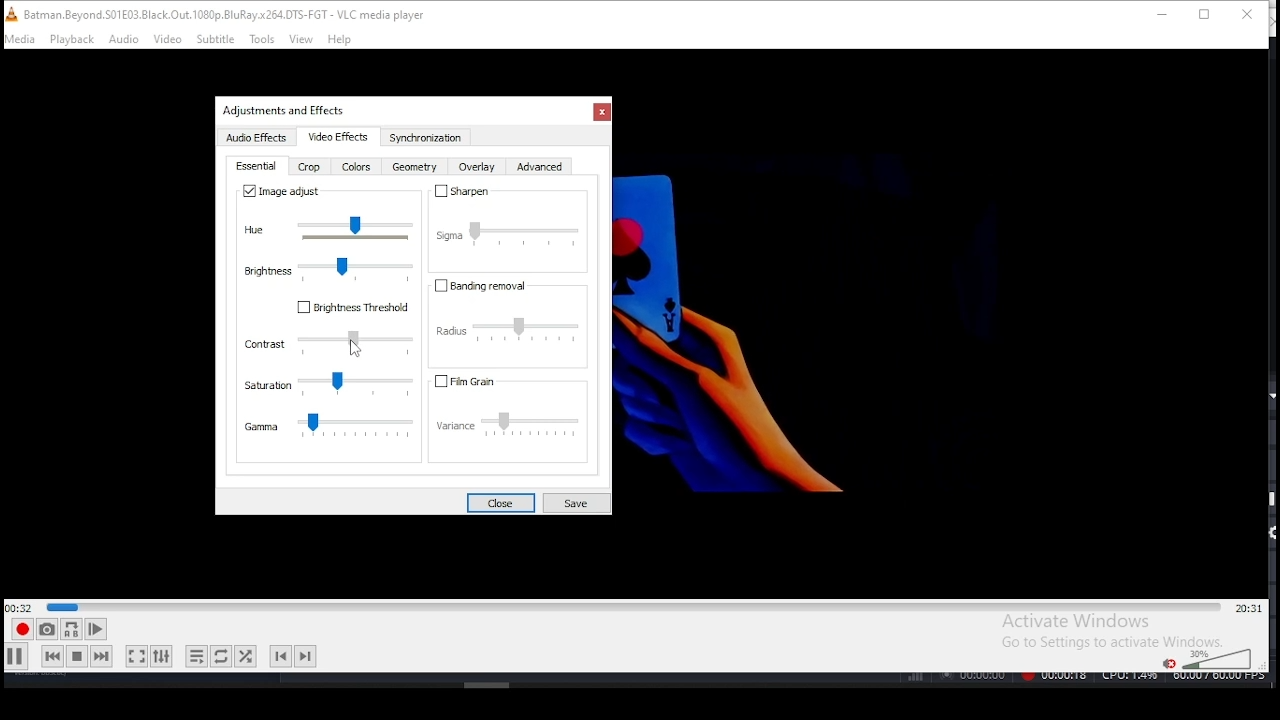 The width and height of the screenshot is (1280, 720). I want to click on , so click(355, 349).